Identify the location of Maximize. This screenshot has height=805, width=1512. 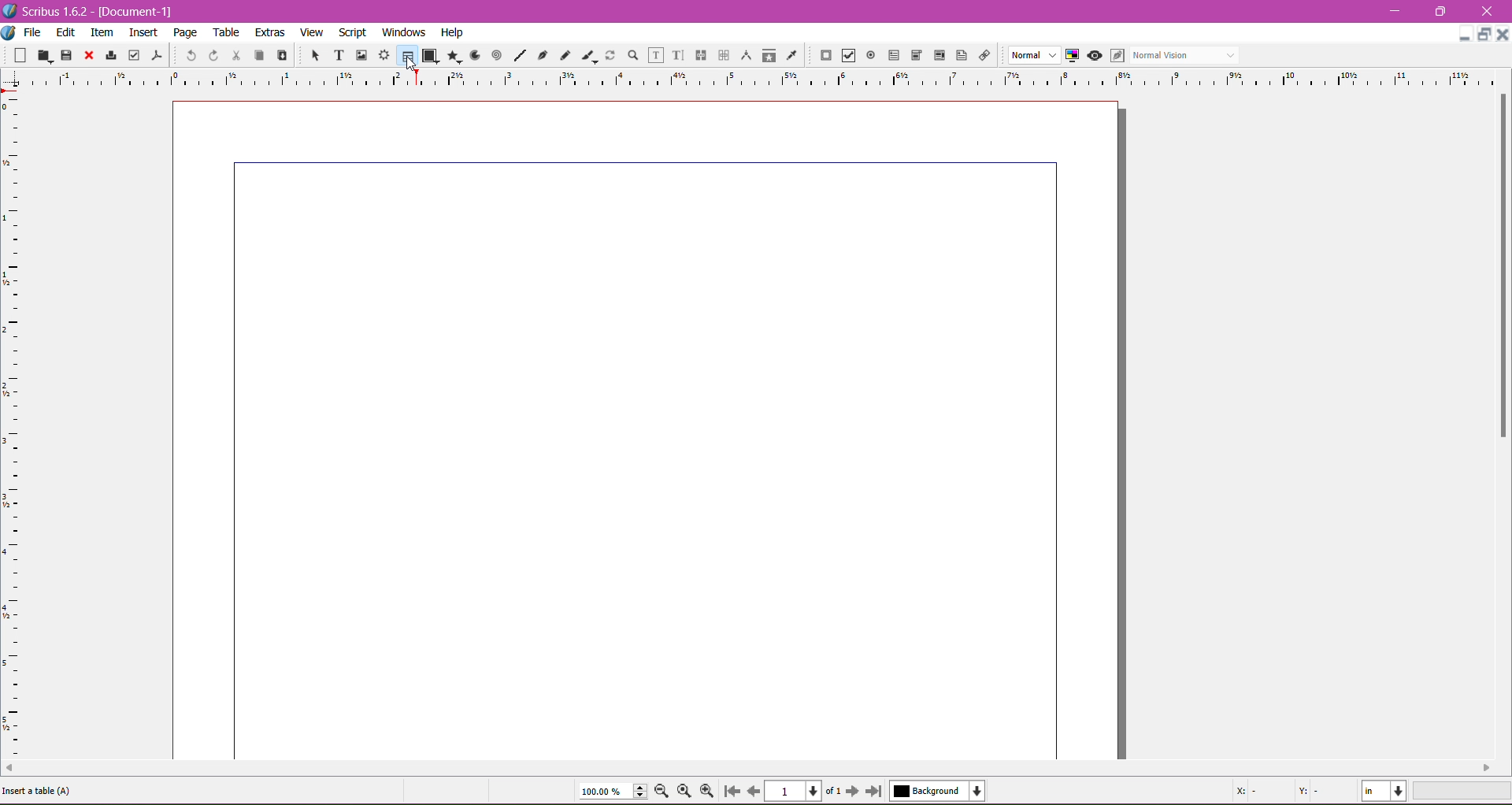
(1485, 35).